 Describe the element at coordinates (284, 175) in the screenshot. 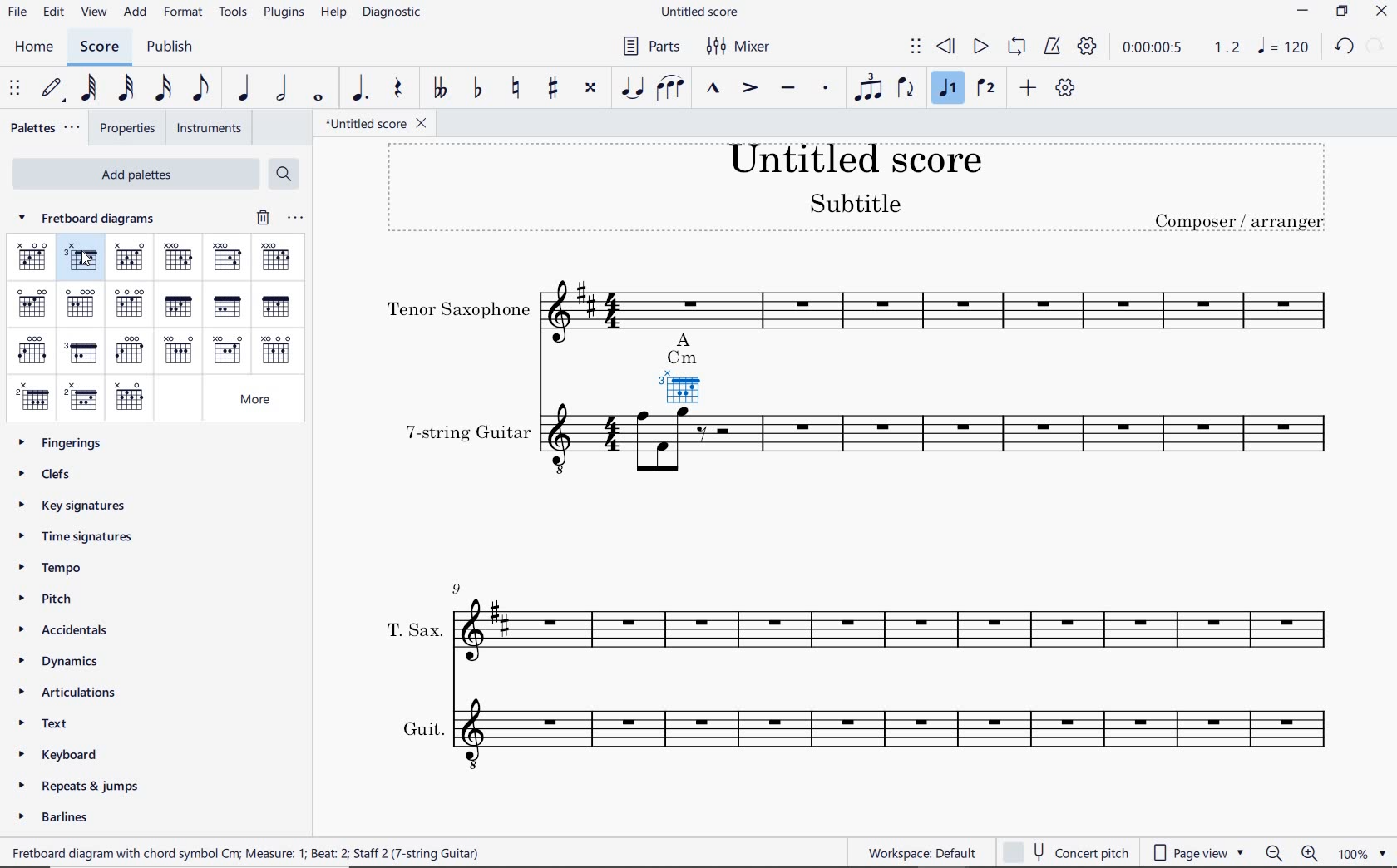

I see `SEARCH PALETTES` at that location.